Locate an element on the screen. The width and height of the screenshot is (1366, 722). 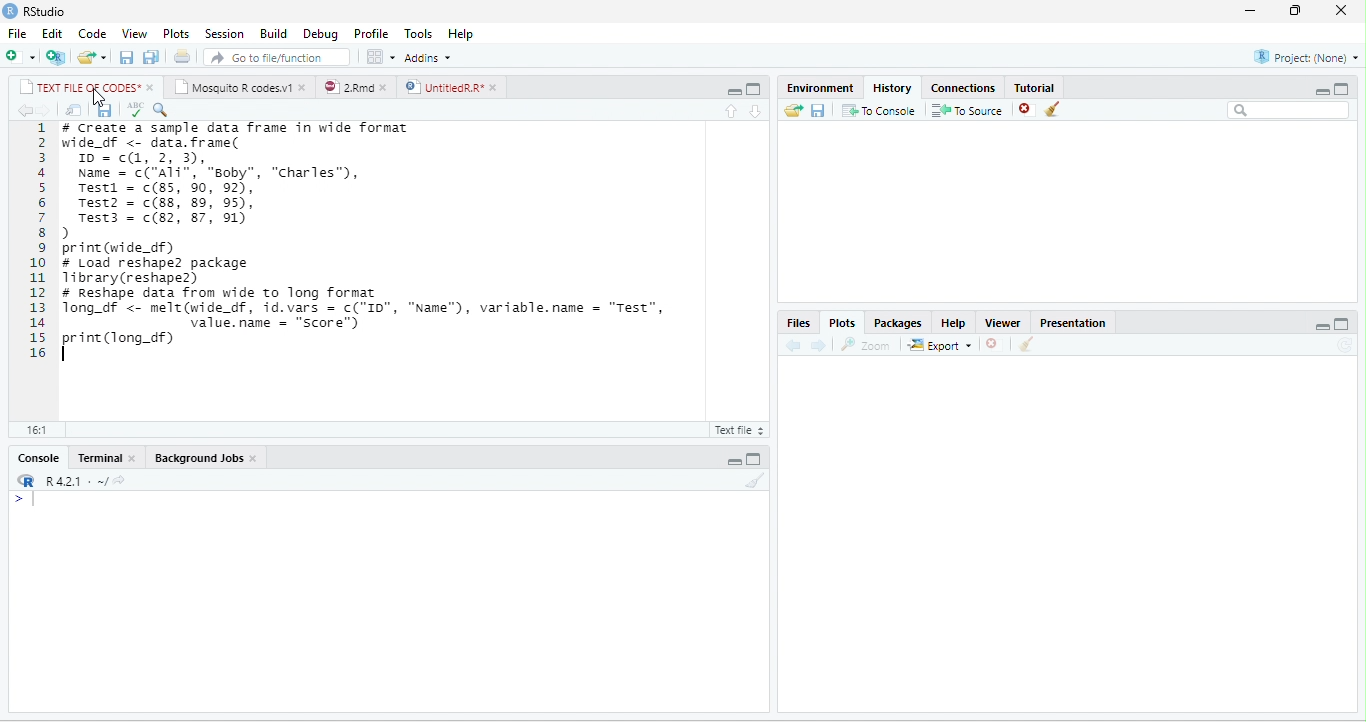
close is located at coordinates (304, 86).